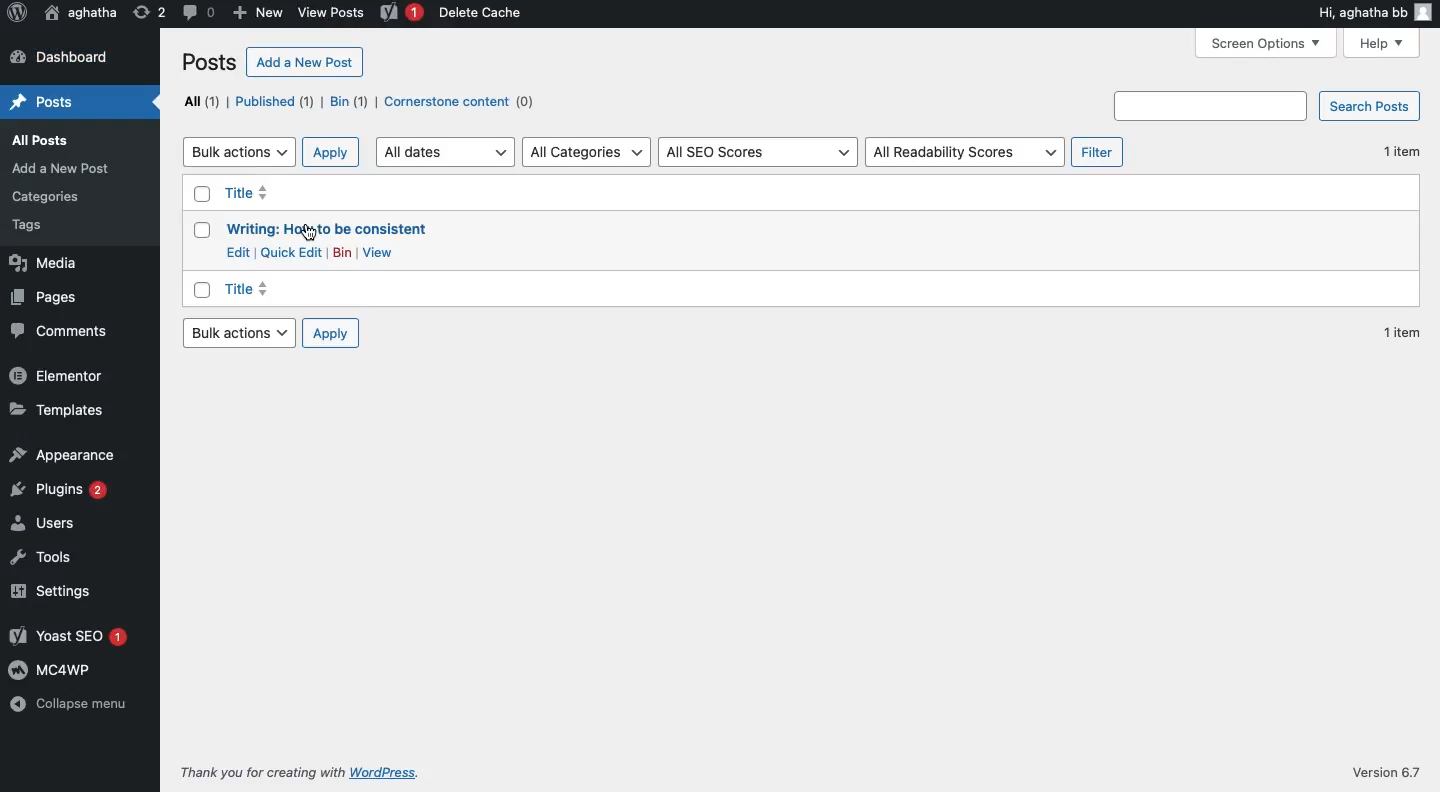 Image resolution: width=1440 pixels, height=792 pixels. What do you see at coordinates (1386, 769) in the screenshot?
I see `Version 6.7` at bounding box center [1386, 769].